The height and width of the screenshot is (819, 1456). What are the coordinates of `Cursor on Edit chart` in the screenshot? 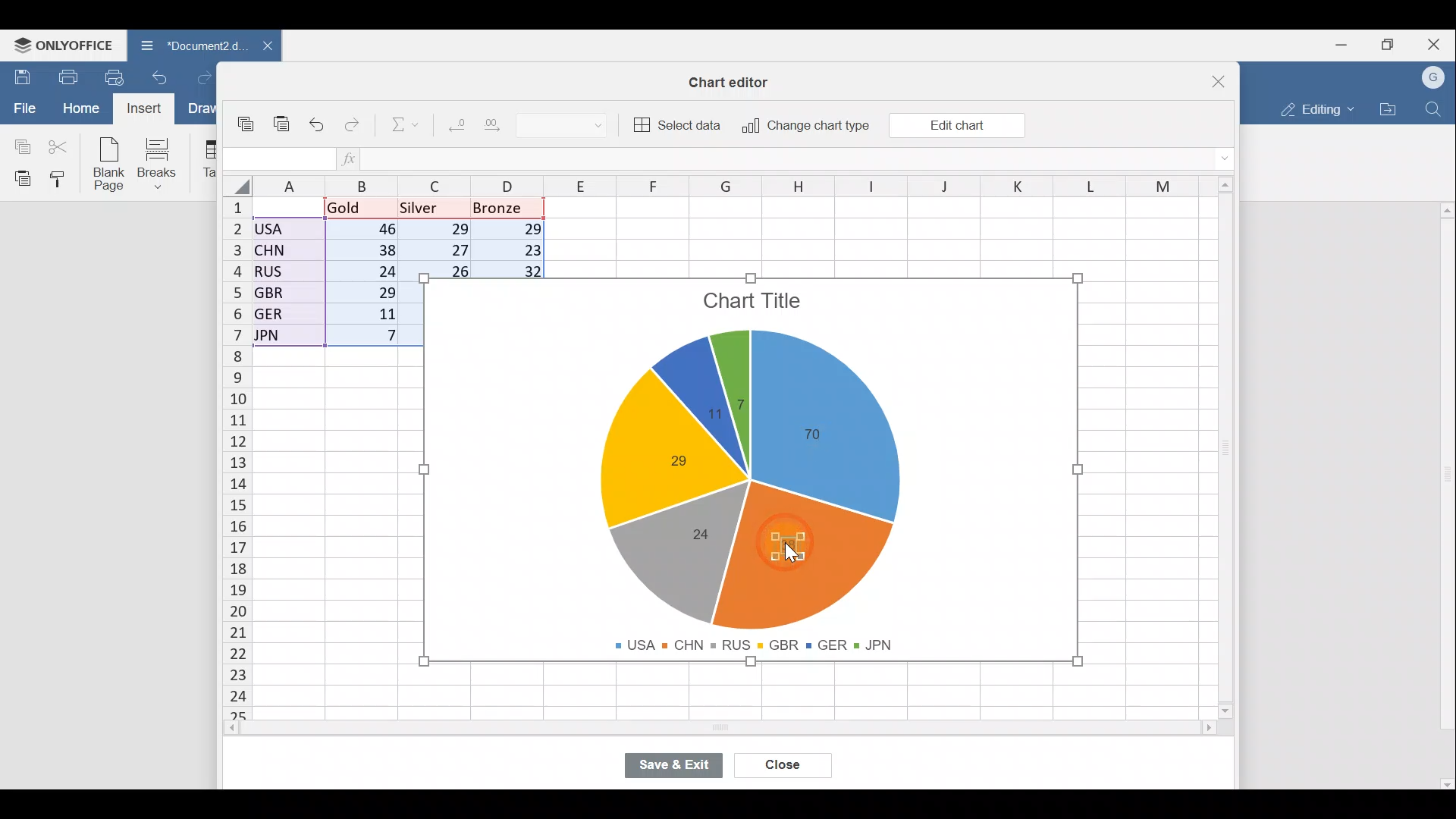 It's located at (965, 127).